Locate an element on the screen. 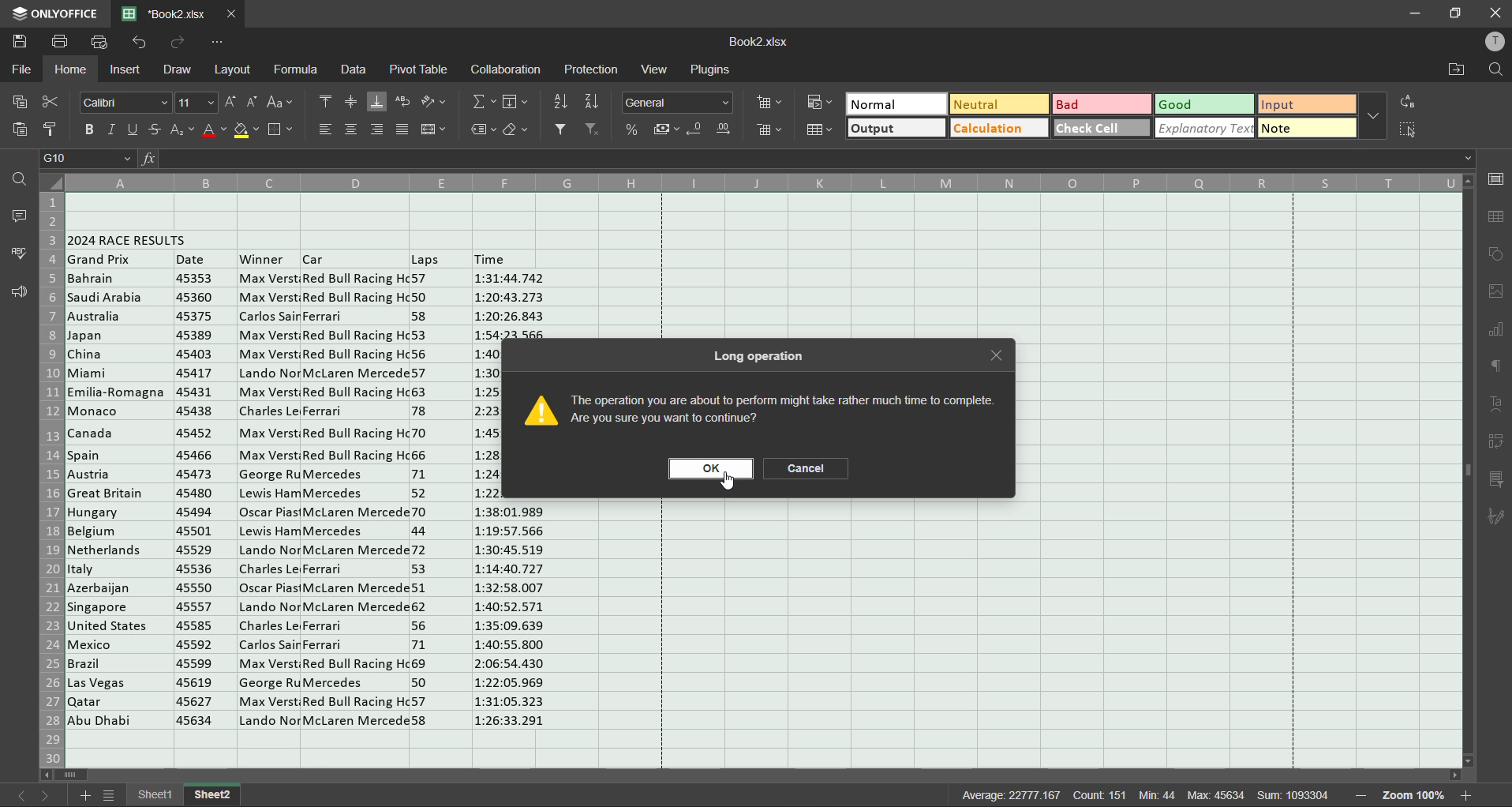  clear filter is located at coordinates (593, 128).